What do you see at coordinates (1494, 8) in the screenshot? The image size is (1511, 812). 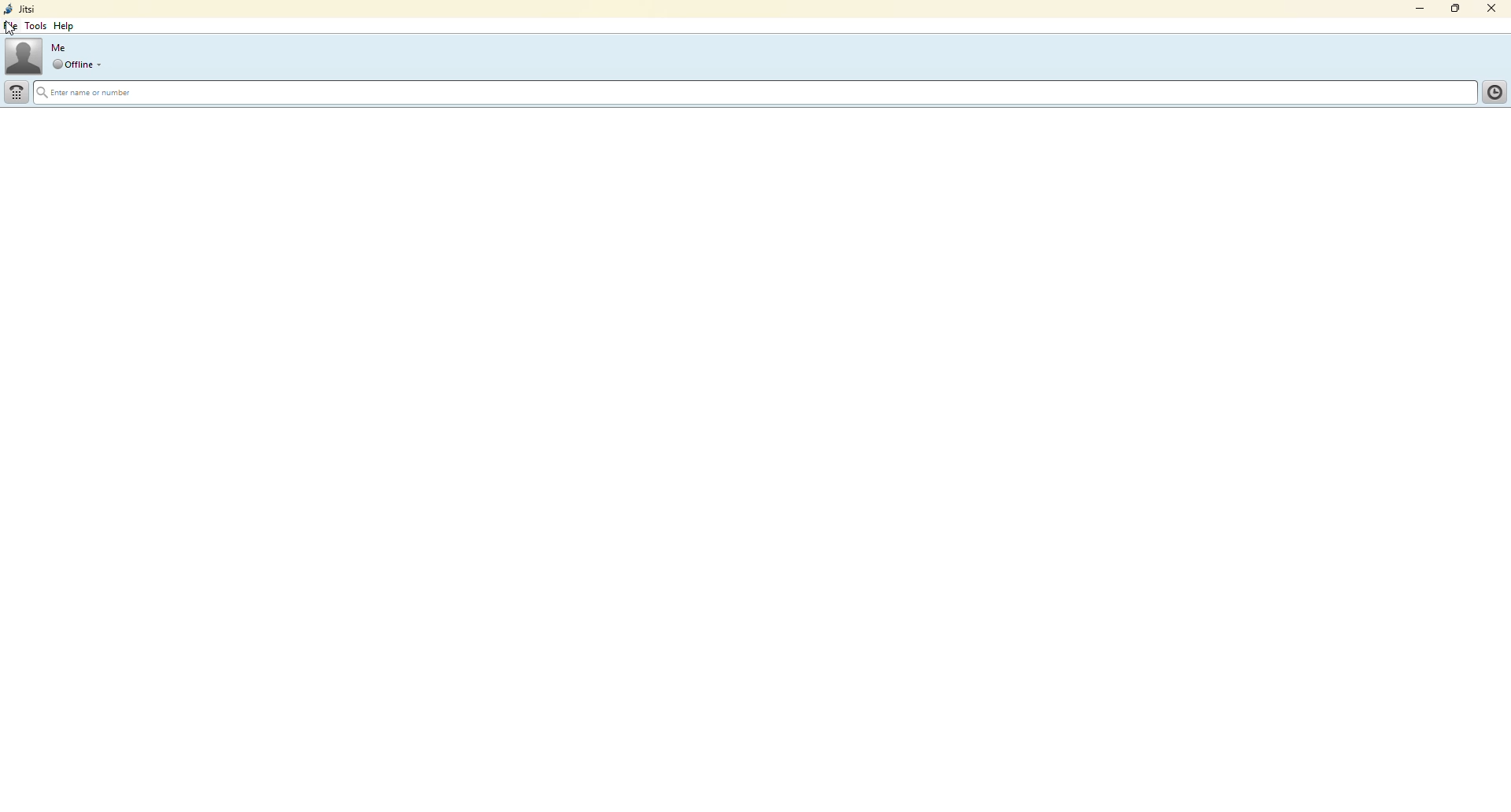 I see `close` at bounding box center [1494, 8].